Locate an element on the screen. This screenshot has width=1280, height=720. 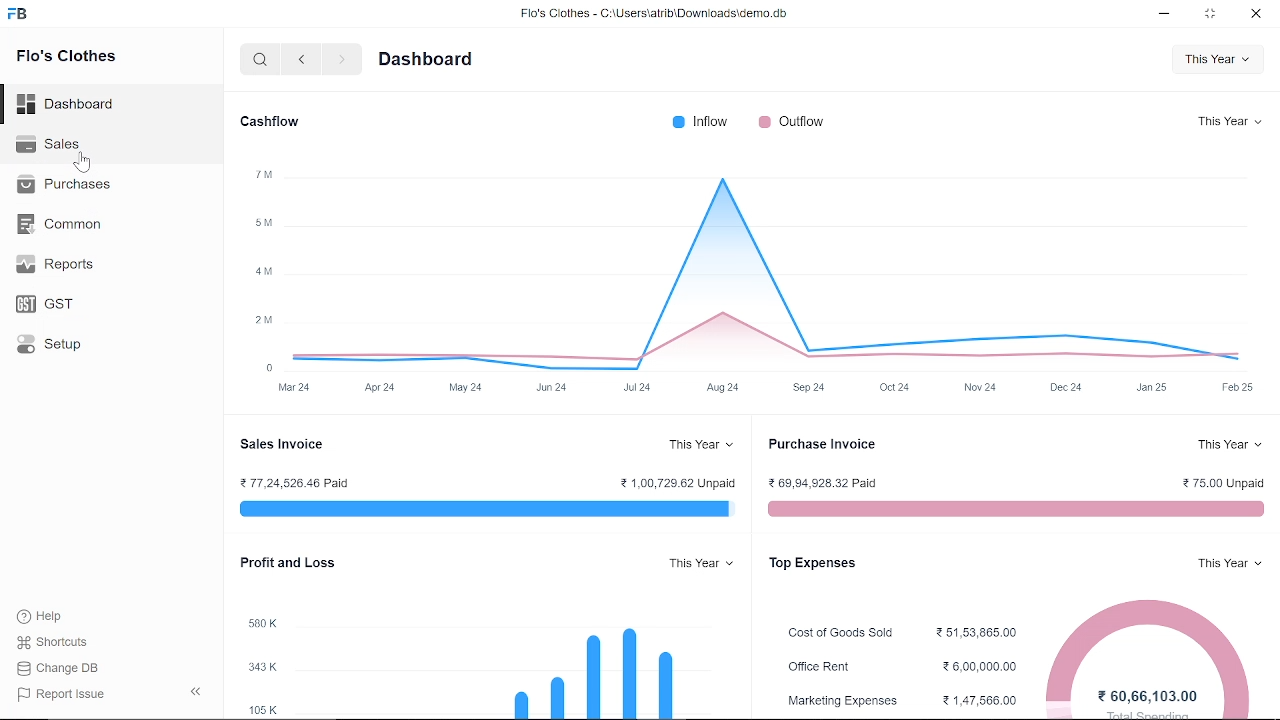
Dashboard is located at coordinates (70, 103).